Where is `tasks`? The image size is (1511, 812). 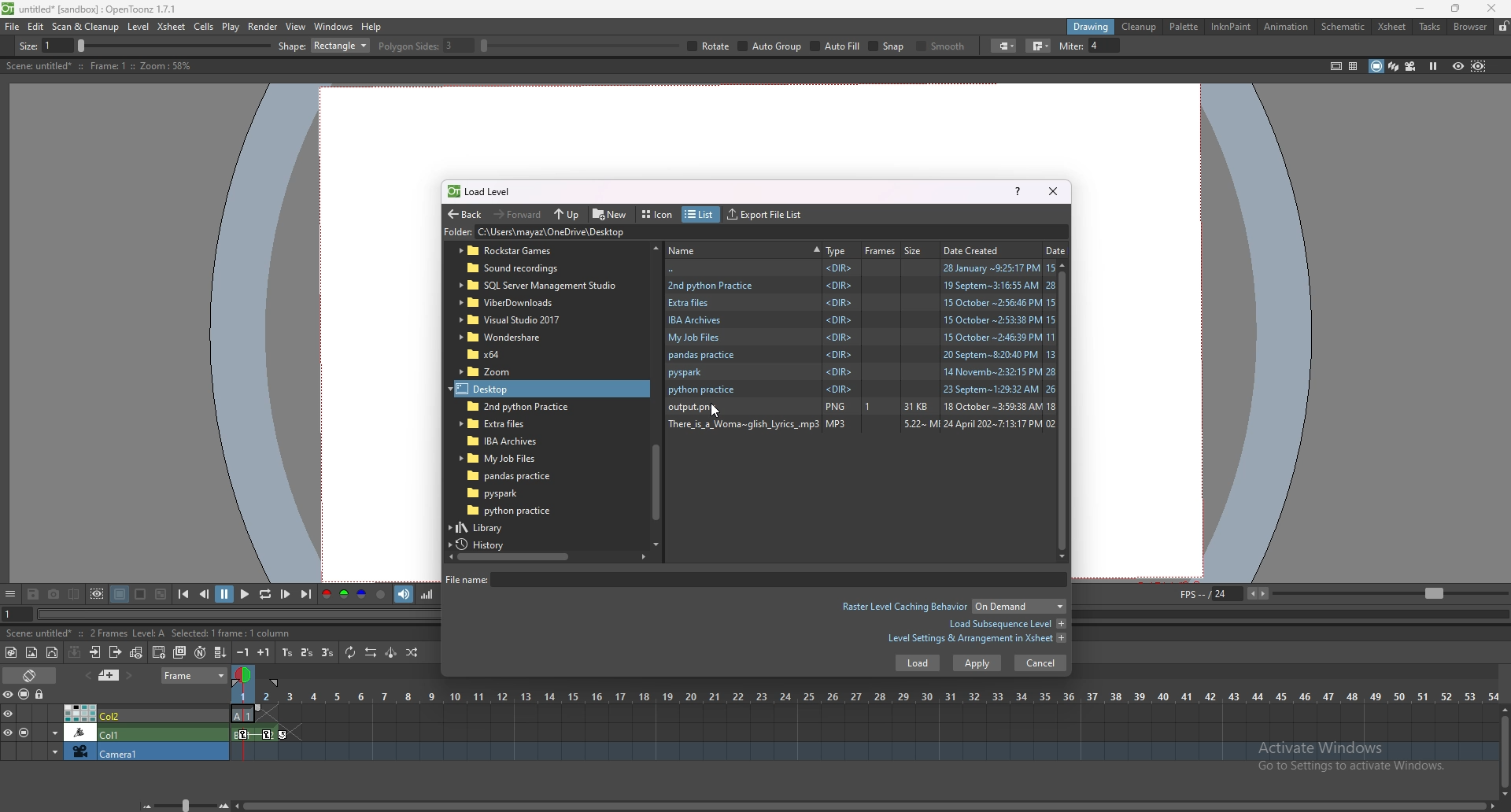
tasks is located at coordinates (1429, 28).